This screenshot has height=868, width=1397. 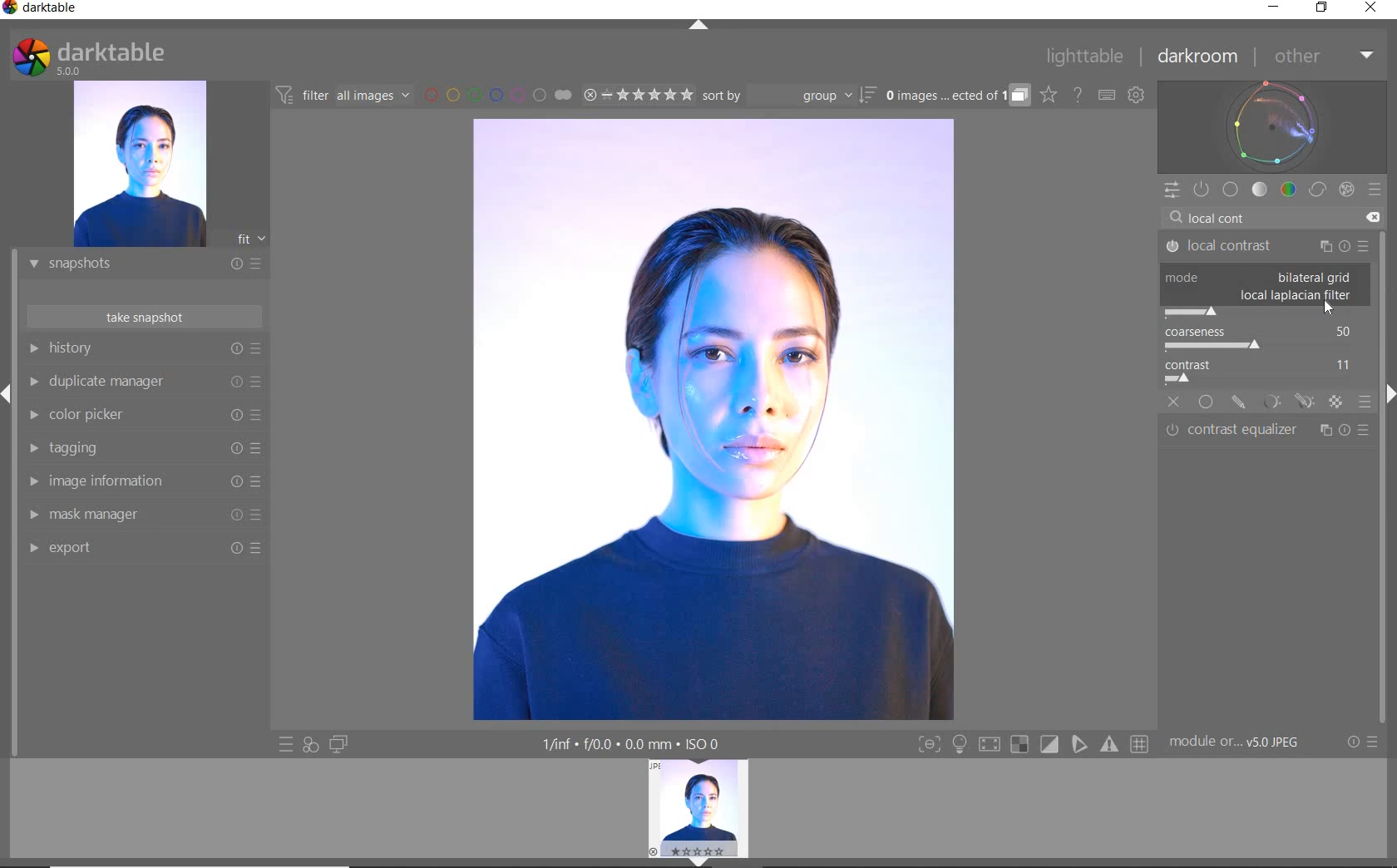 What do you see at coordinates (929, 746) in the screenshot?
I see `Button` at bounding box center [929, 746].